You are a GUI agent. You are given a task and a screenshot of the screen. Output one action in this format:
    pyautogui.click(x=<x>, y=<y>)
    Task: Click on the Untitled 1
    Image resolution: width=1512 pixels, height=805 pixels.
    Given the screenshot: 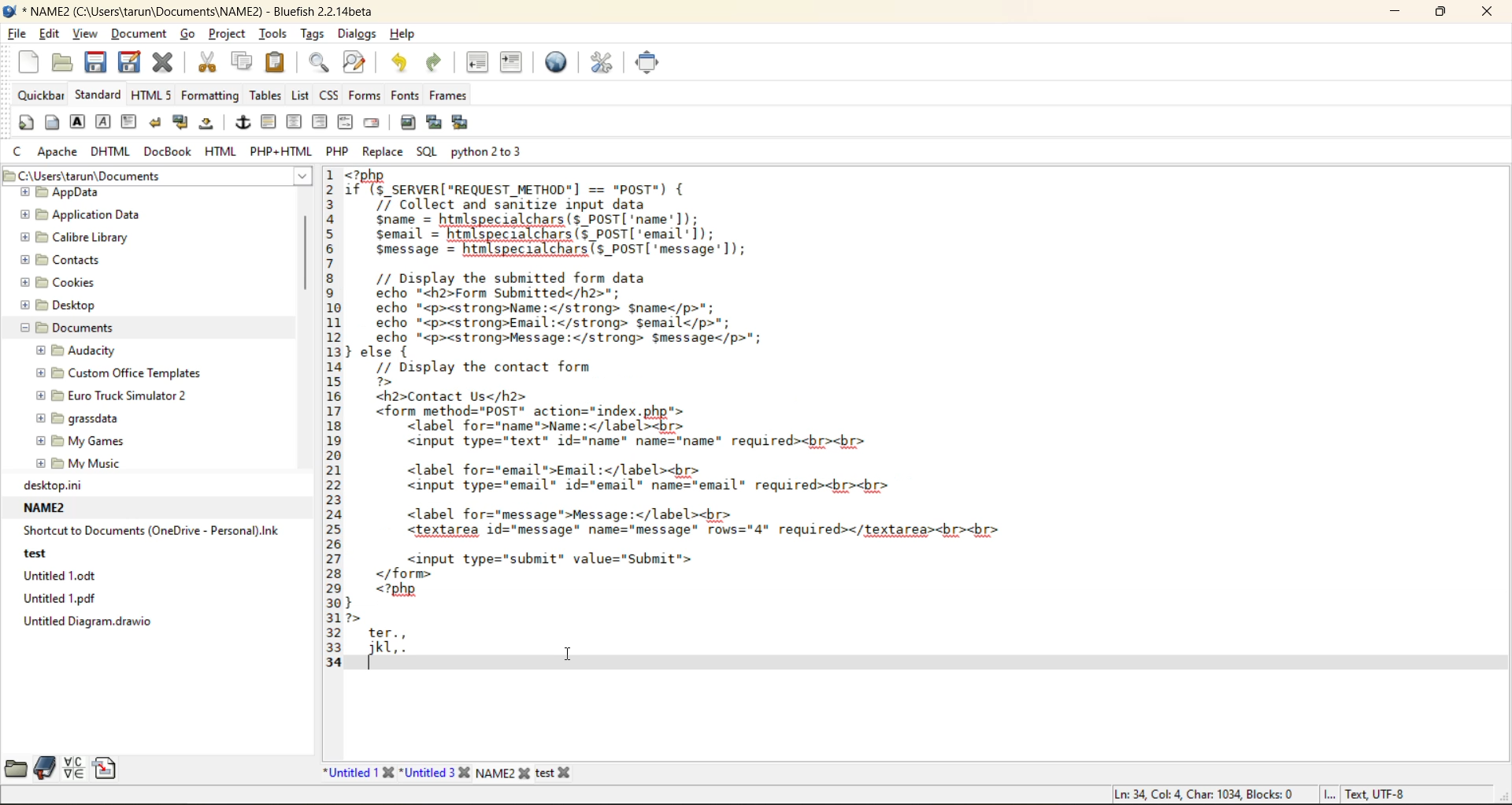 What is the action you would take?
    pyautogui.click(x=356, y=770)
    